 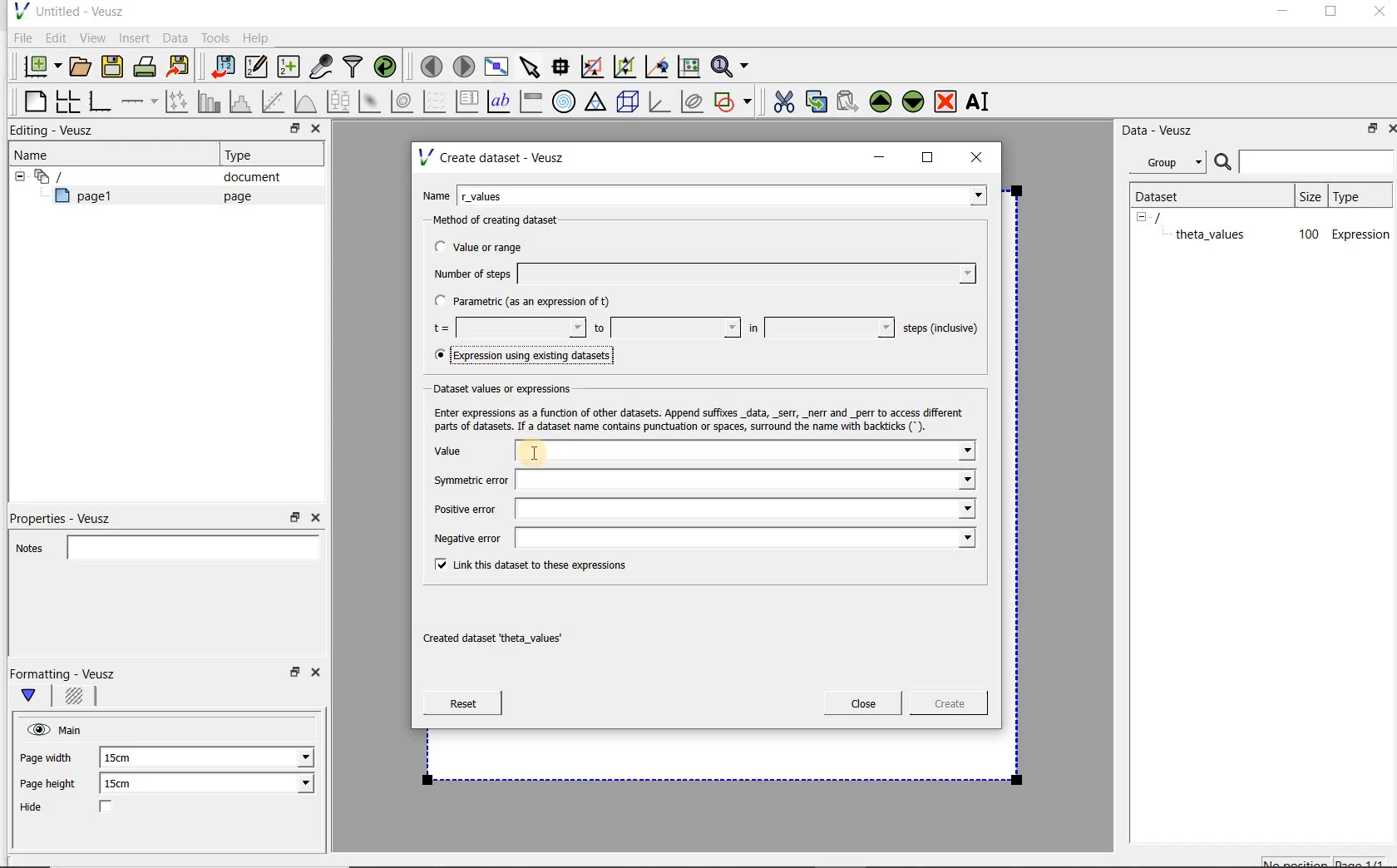 What do you see at coordinates (322, 69) in the screenshot?
I see `capture remote data` at bounding box center [322, 69].